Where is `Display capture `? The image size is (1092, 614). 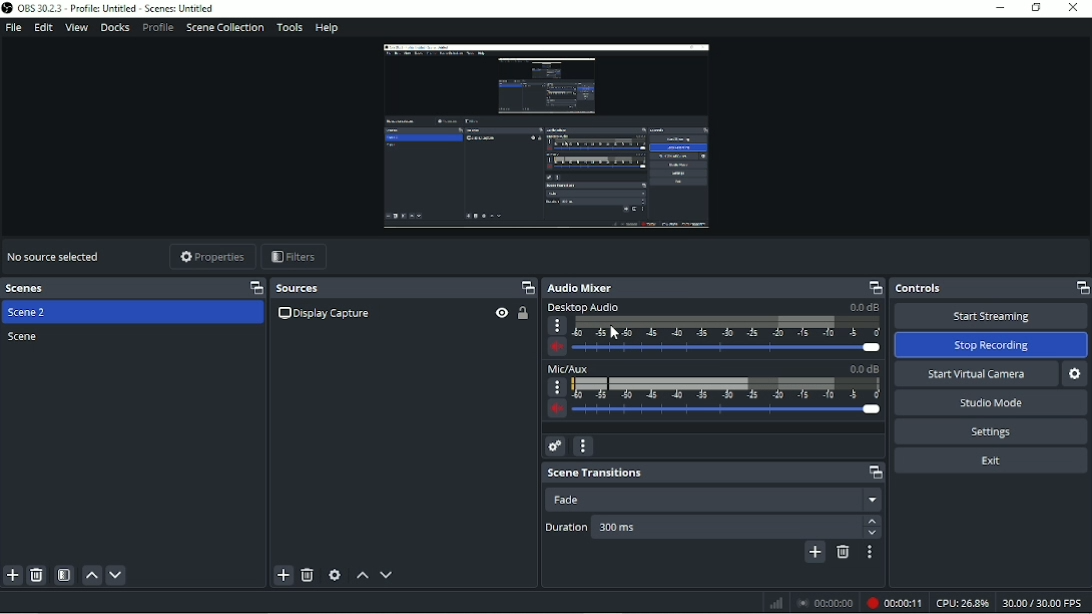
Display capture  is located at coordinates (328, 314).